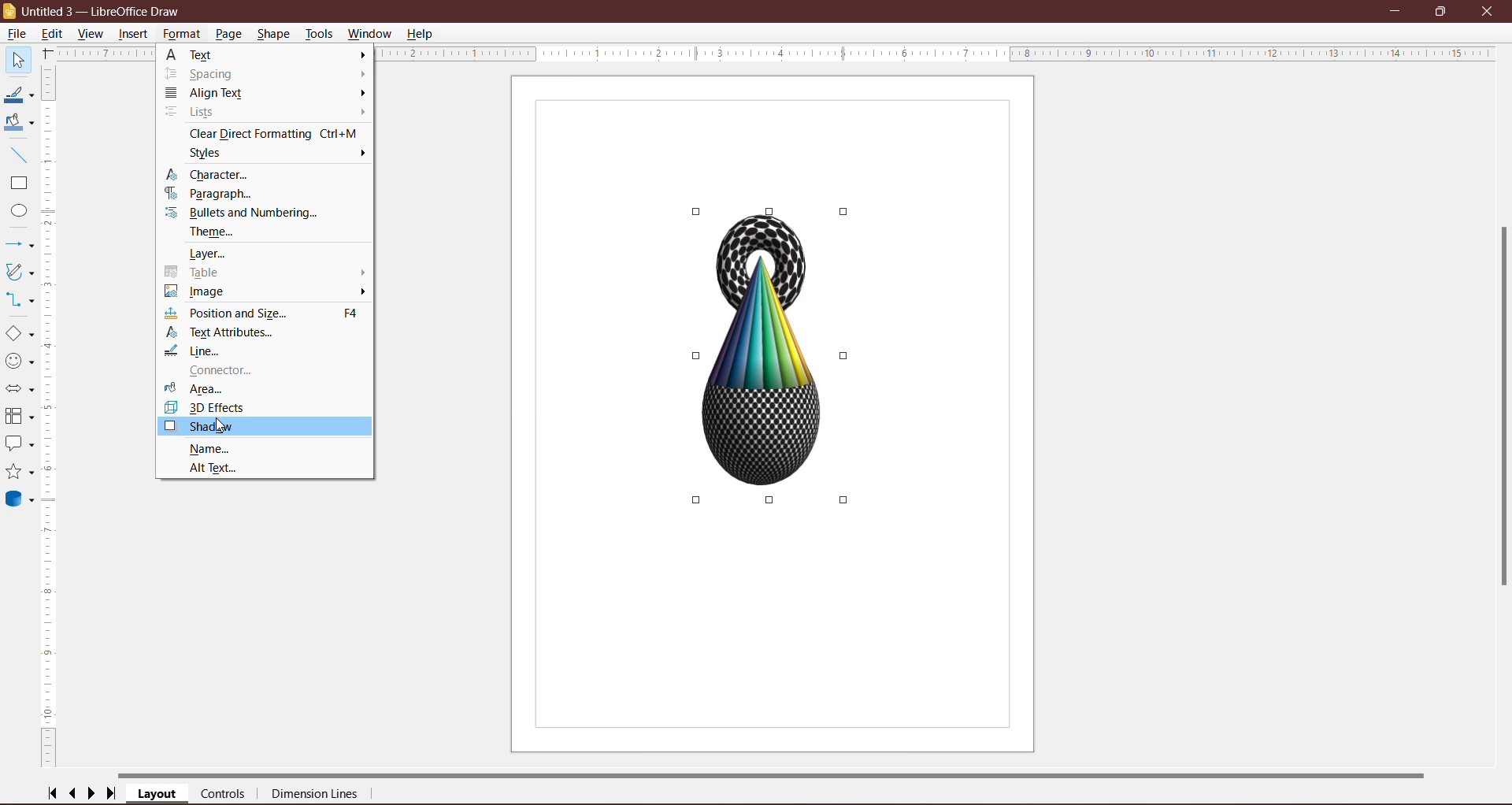 The image size is (1512, 805). I want to click on Diagram Title - Application Name, so click(106, 10).